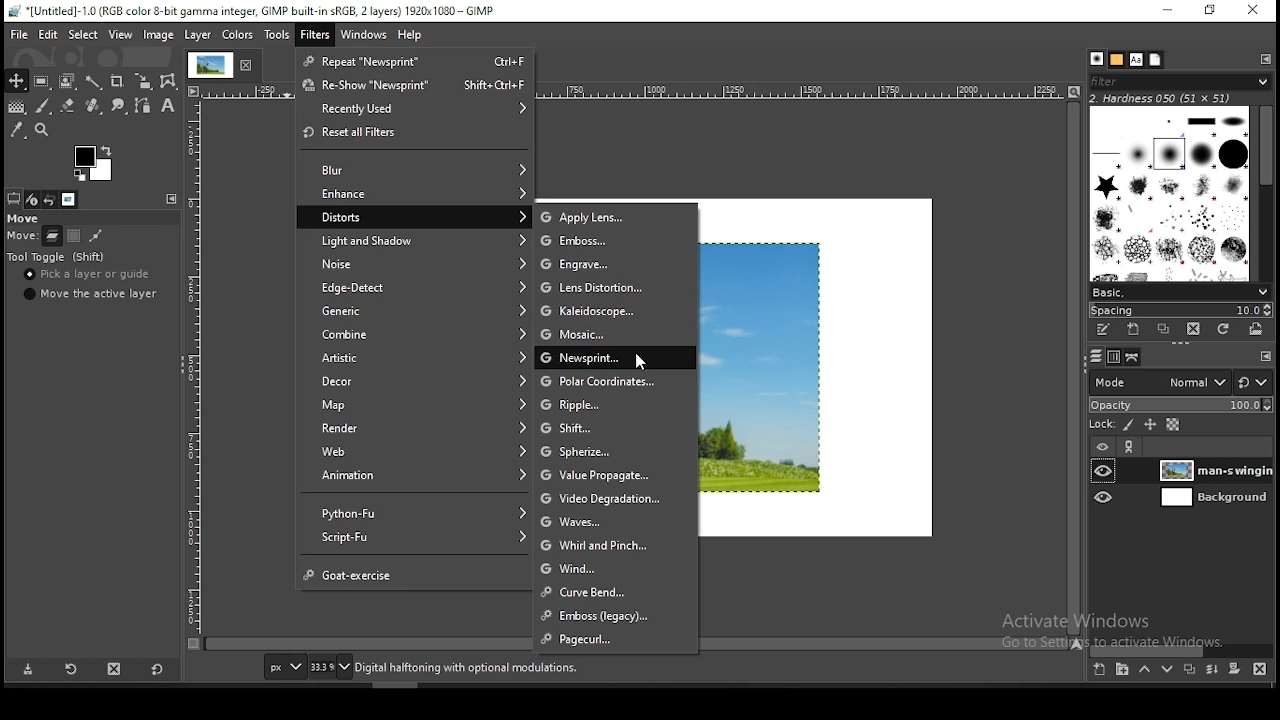 The width and height of the screenshot is (1280, 720). What do you see at coordinates (418, 86) in the screenshot?
I see `reshow "newsprint"` at bounding box center [418, 86].